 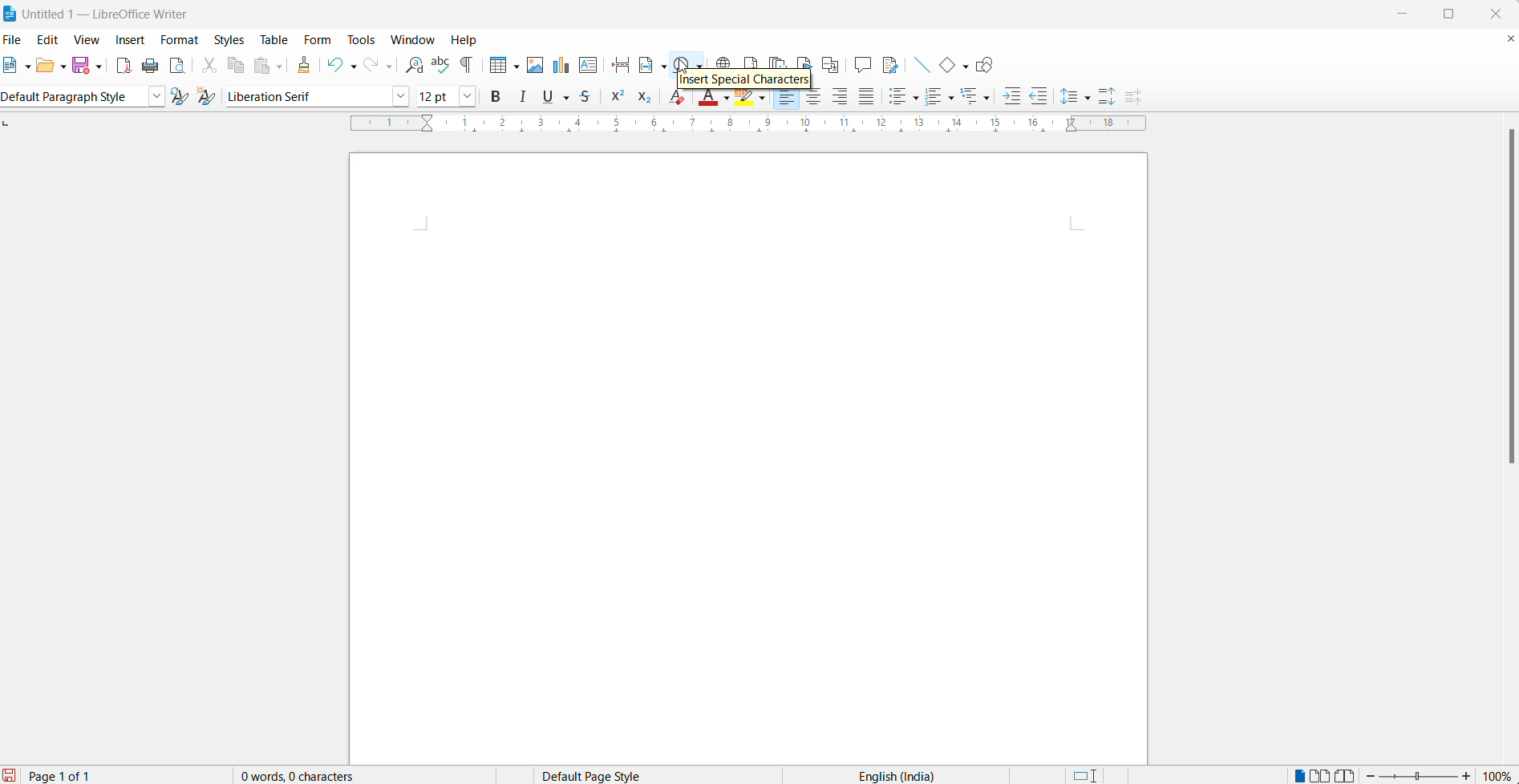 I want to click on text align left, so click(x=789, y=99).